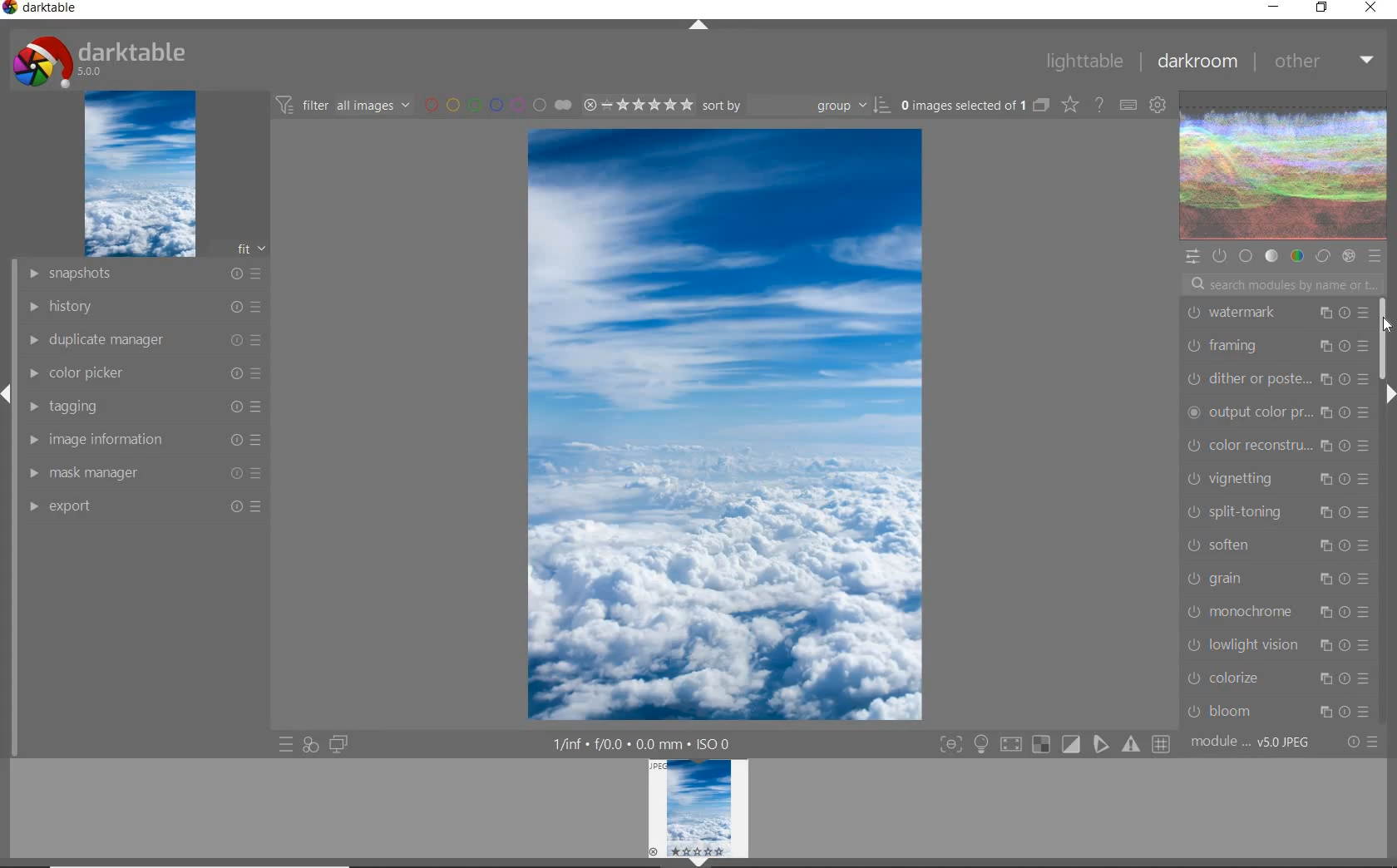 The width and height of the screenshot is (1397, 868). What do you see at coordinates (1276, 312) in the screenshot?
I see `WATERMARK` at bounding box center [1276, 312].